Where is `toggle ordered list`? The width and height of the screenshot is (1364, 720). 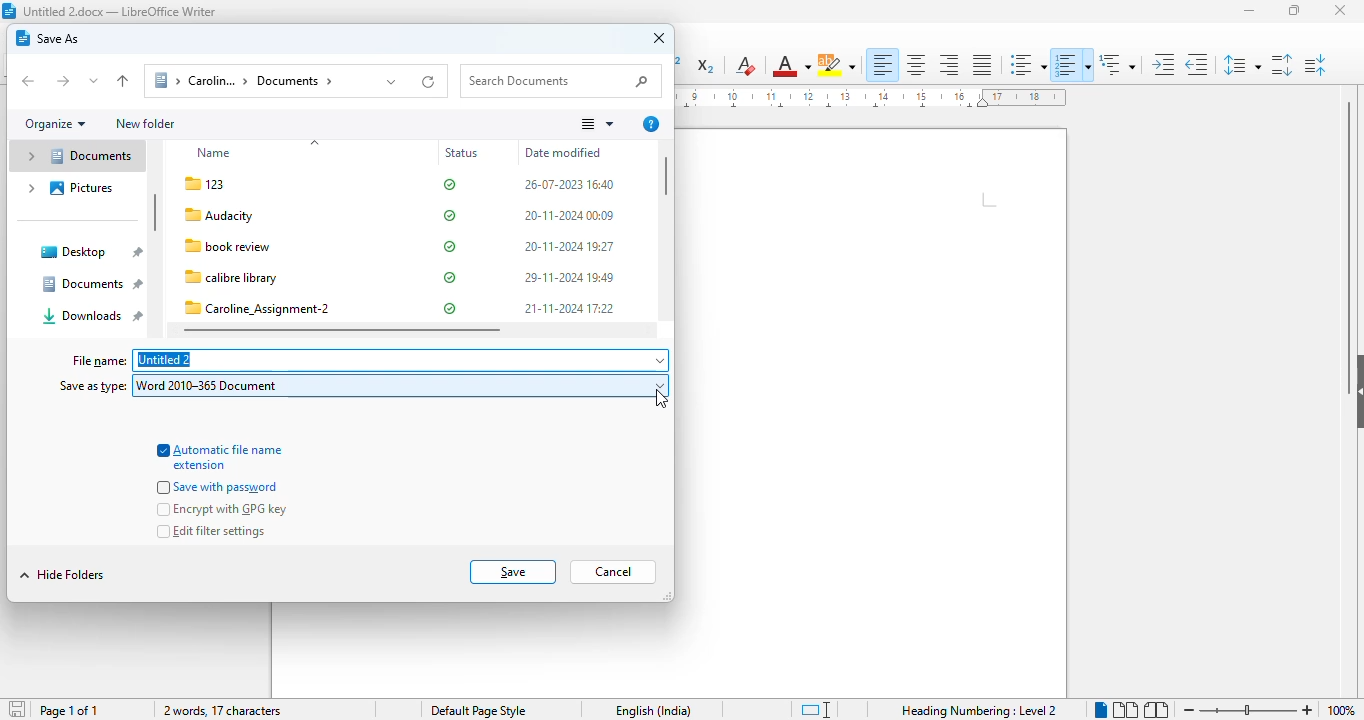 toggle ordered list is located at coordinates (1072, 65).